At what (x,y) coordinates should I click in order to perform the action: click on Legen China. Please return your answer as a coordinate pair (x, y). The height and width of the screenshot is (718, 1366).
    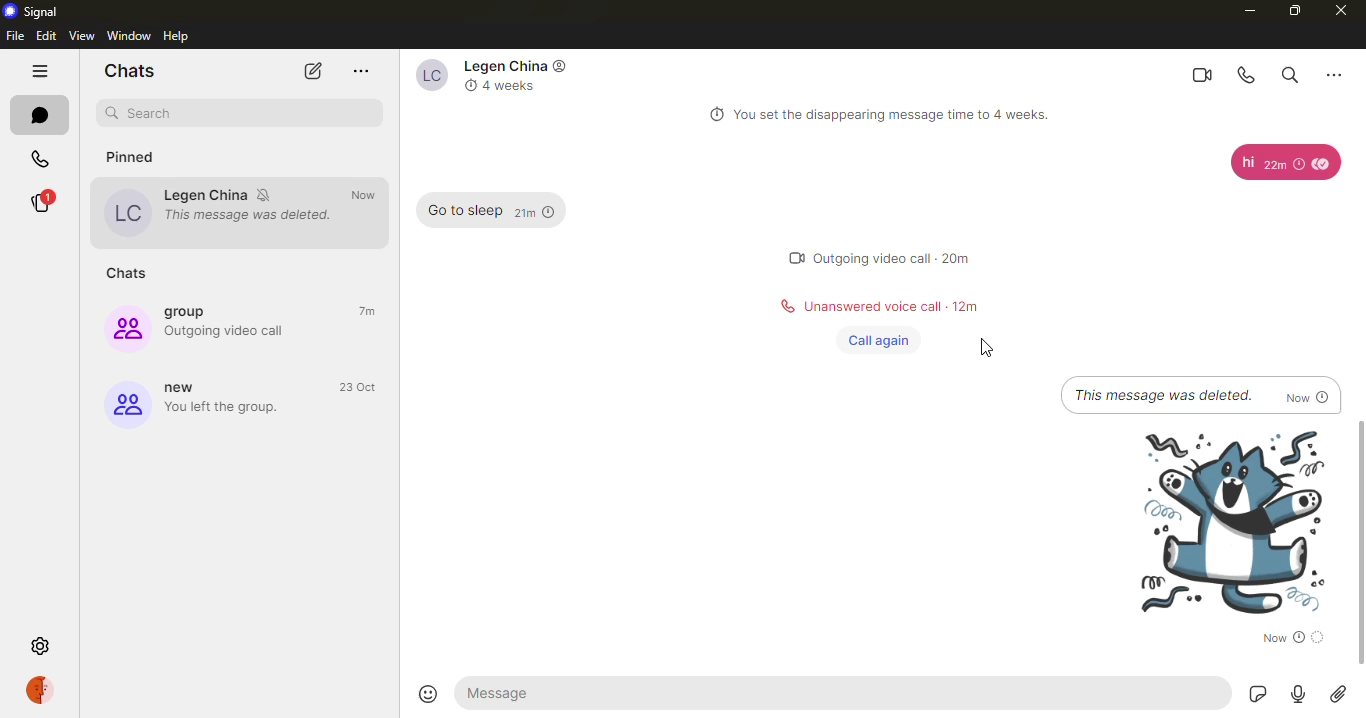
    Looking at the image, I should click on (206, 195).